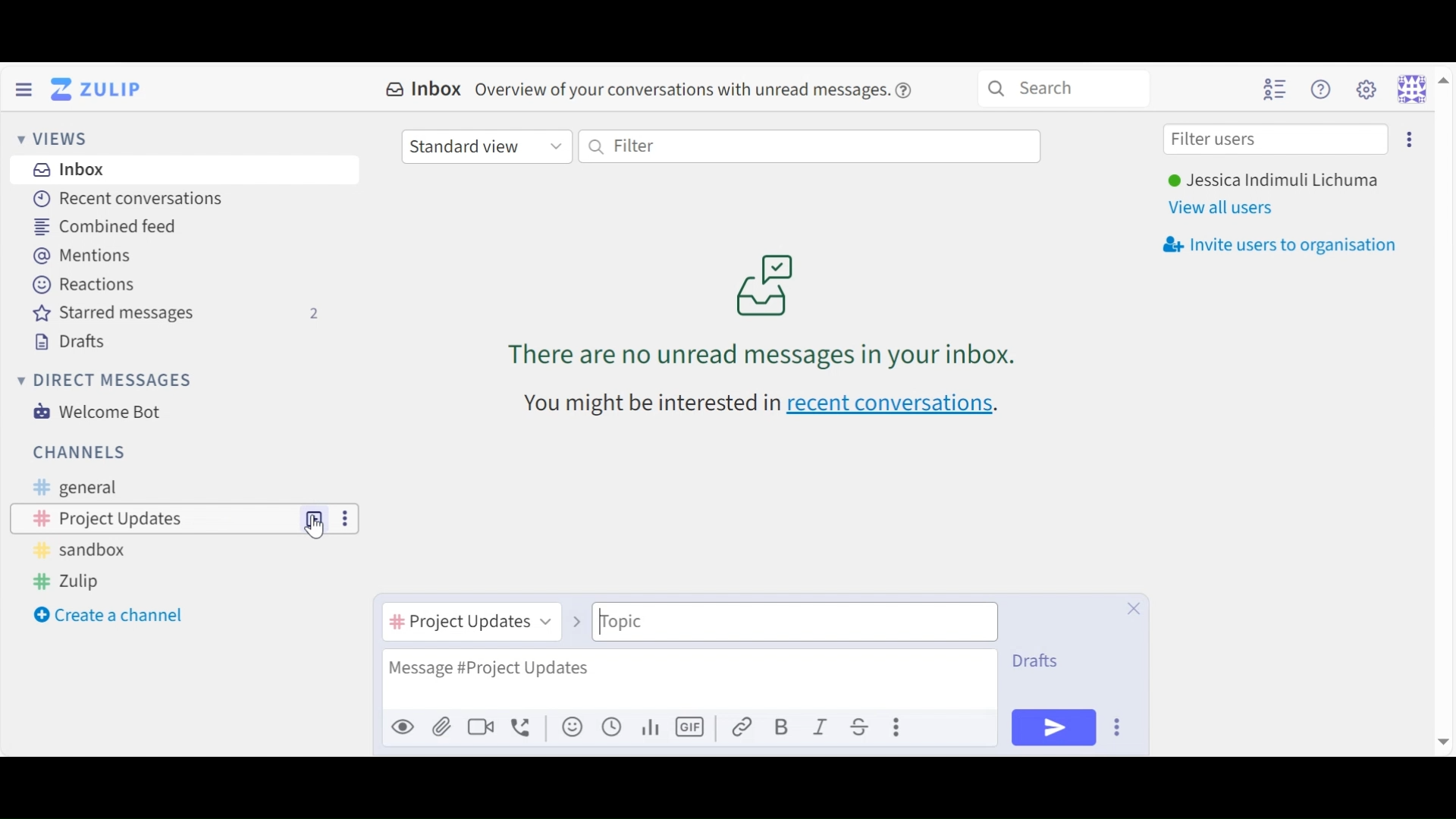  What do you see at coordinates (573, 613) in the screenshot?
I see `next` at bounding box center [573, 613].